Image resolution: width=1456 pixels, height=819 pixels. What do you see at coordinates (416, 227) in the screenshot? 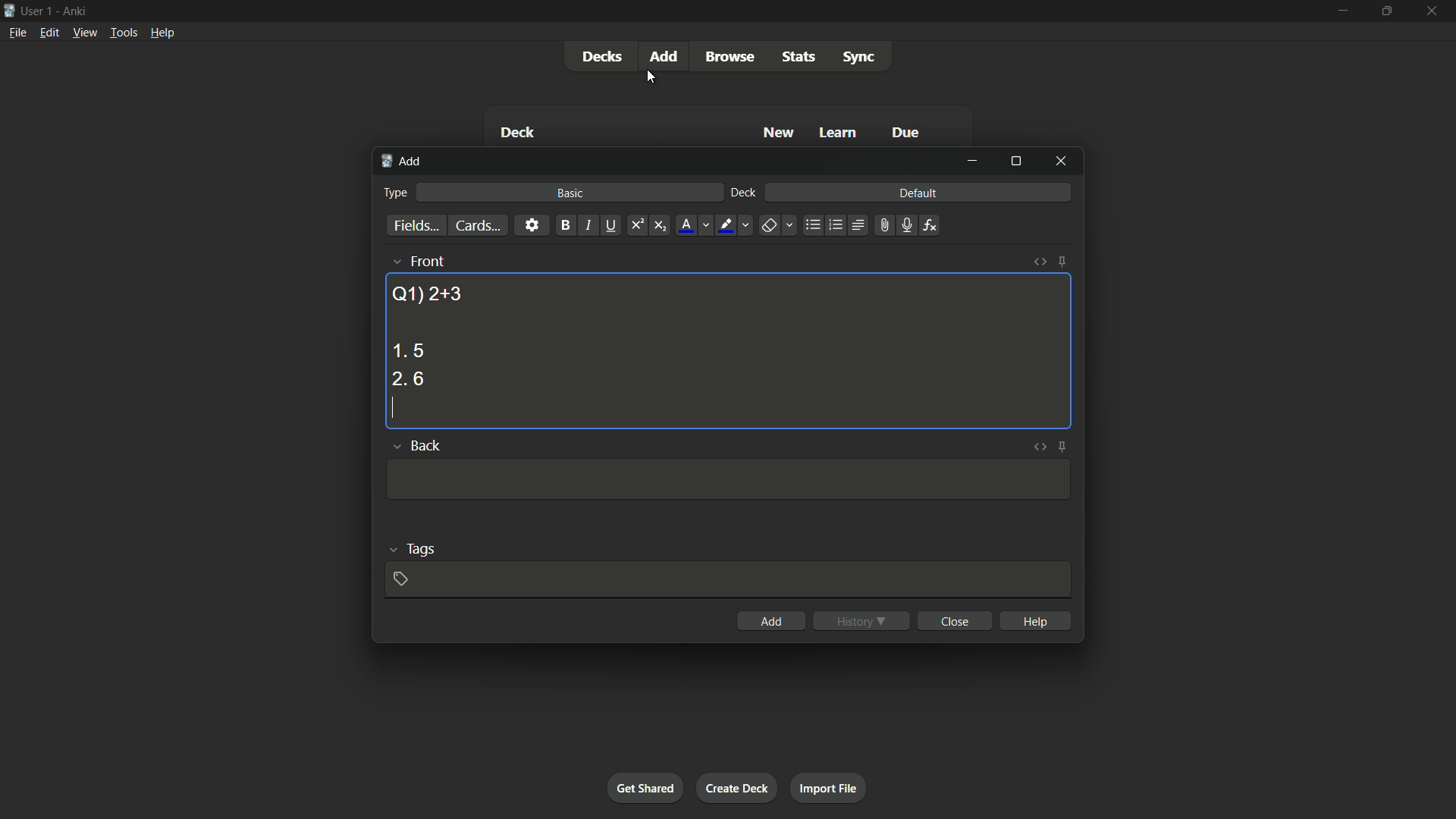
I see `fields` at bounding box center [416, 227].